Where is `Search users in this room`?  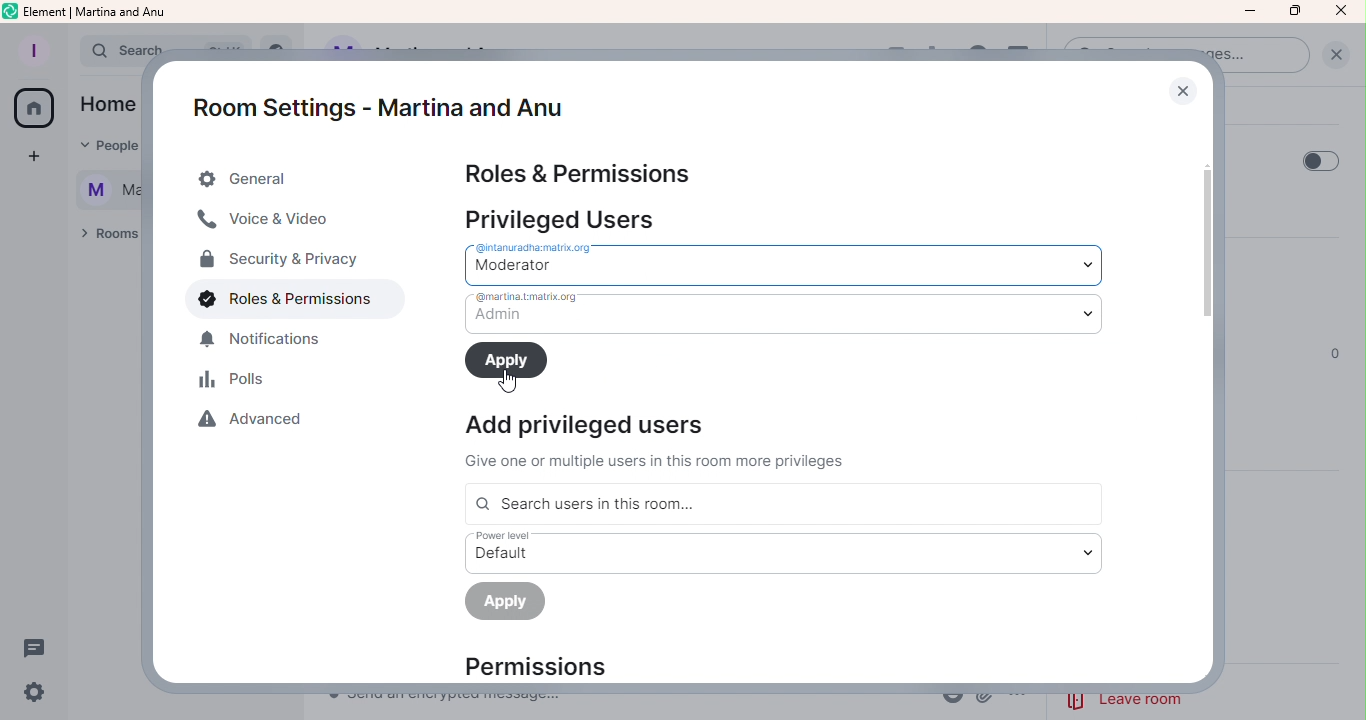 Search users in this room is located at coordinates (781, 504).